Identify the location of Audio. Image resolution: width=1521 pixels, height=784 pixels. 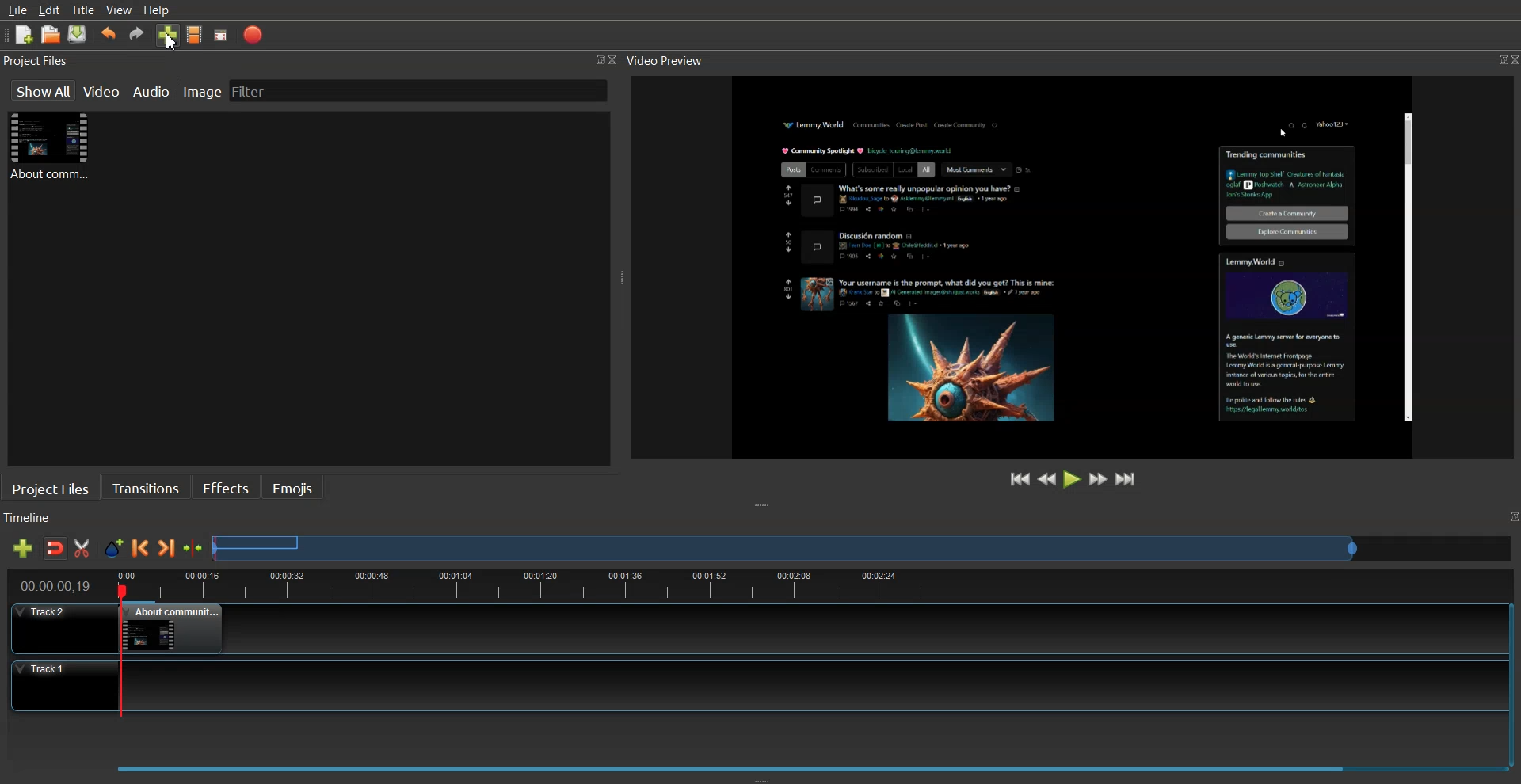
(153, 90).